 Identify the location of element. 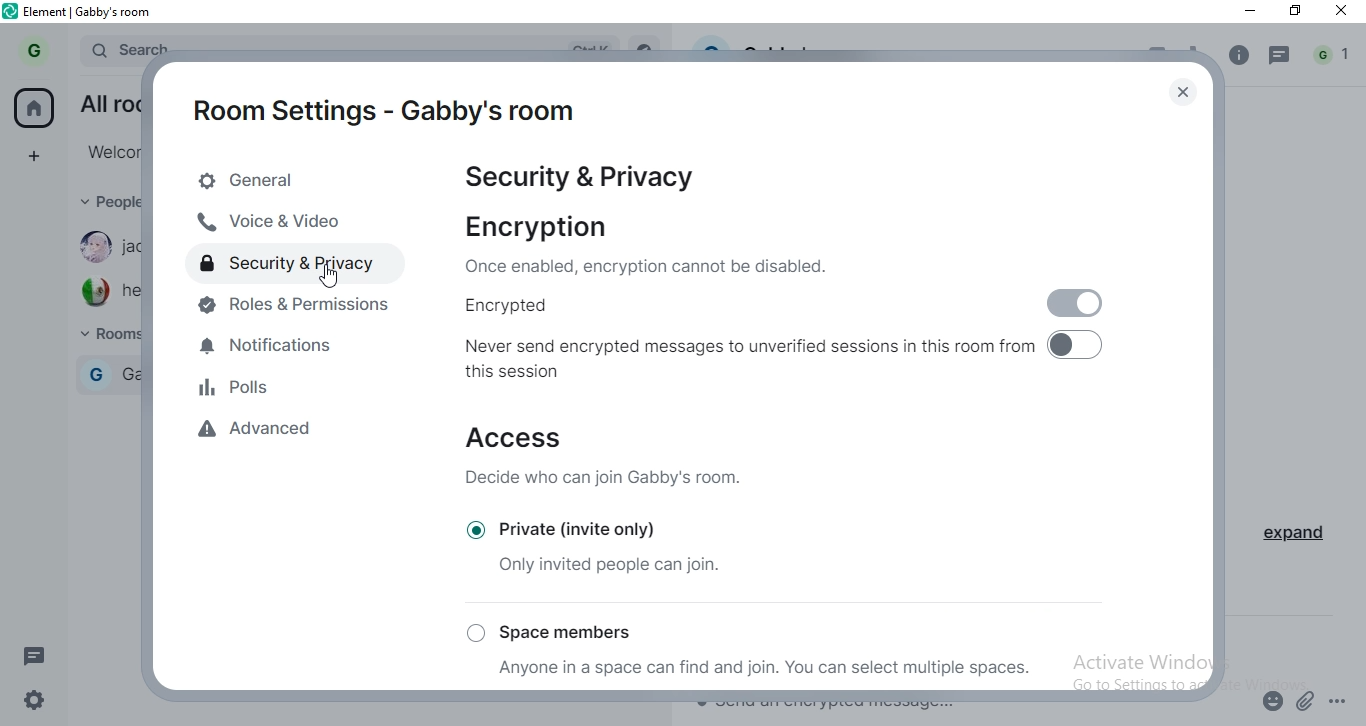
(90, 13).